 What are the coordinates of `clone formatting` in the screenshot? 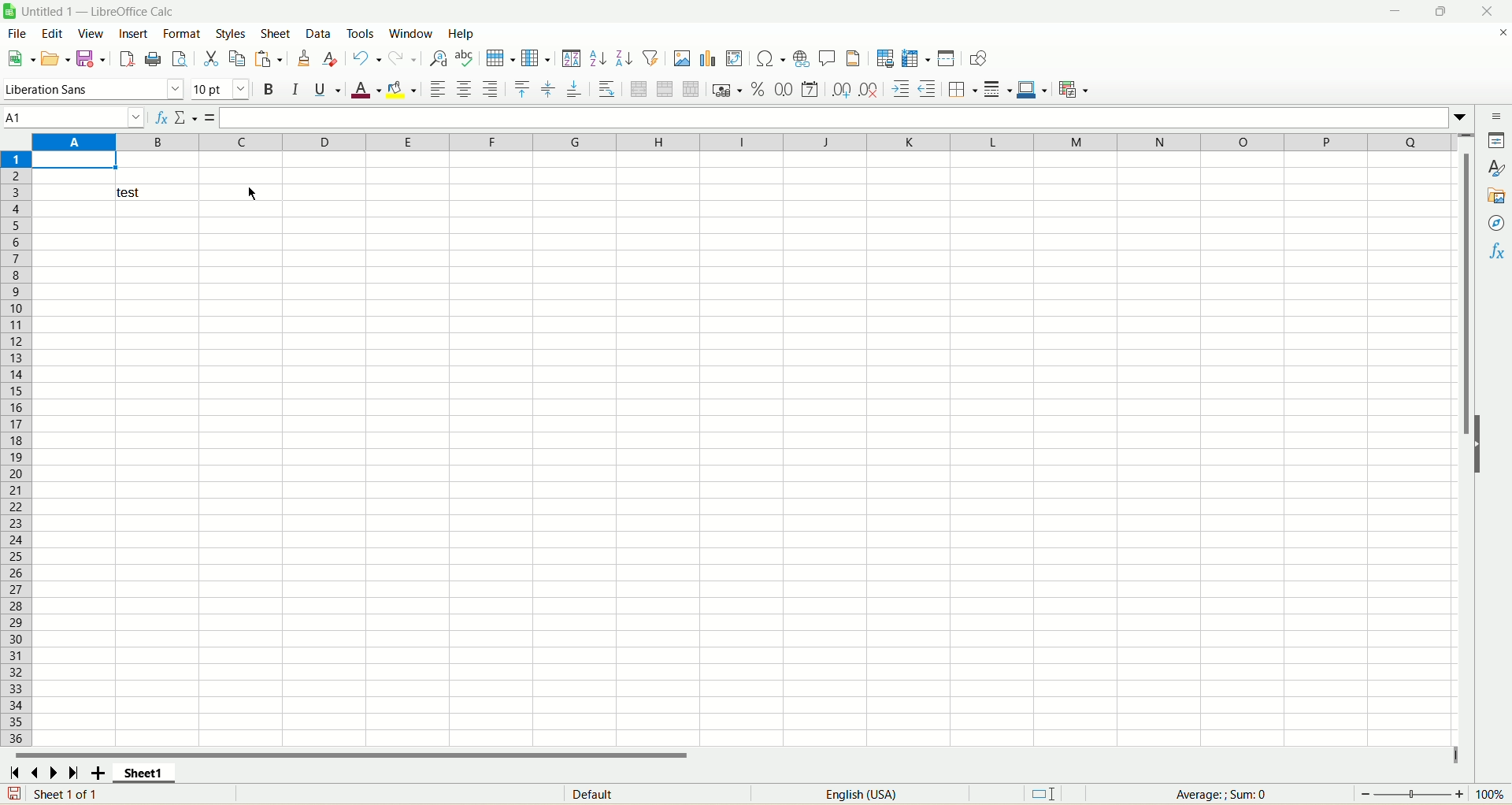 It's located at (303, 57).